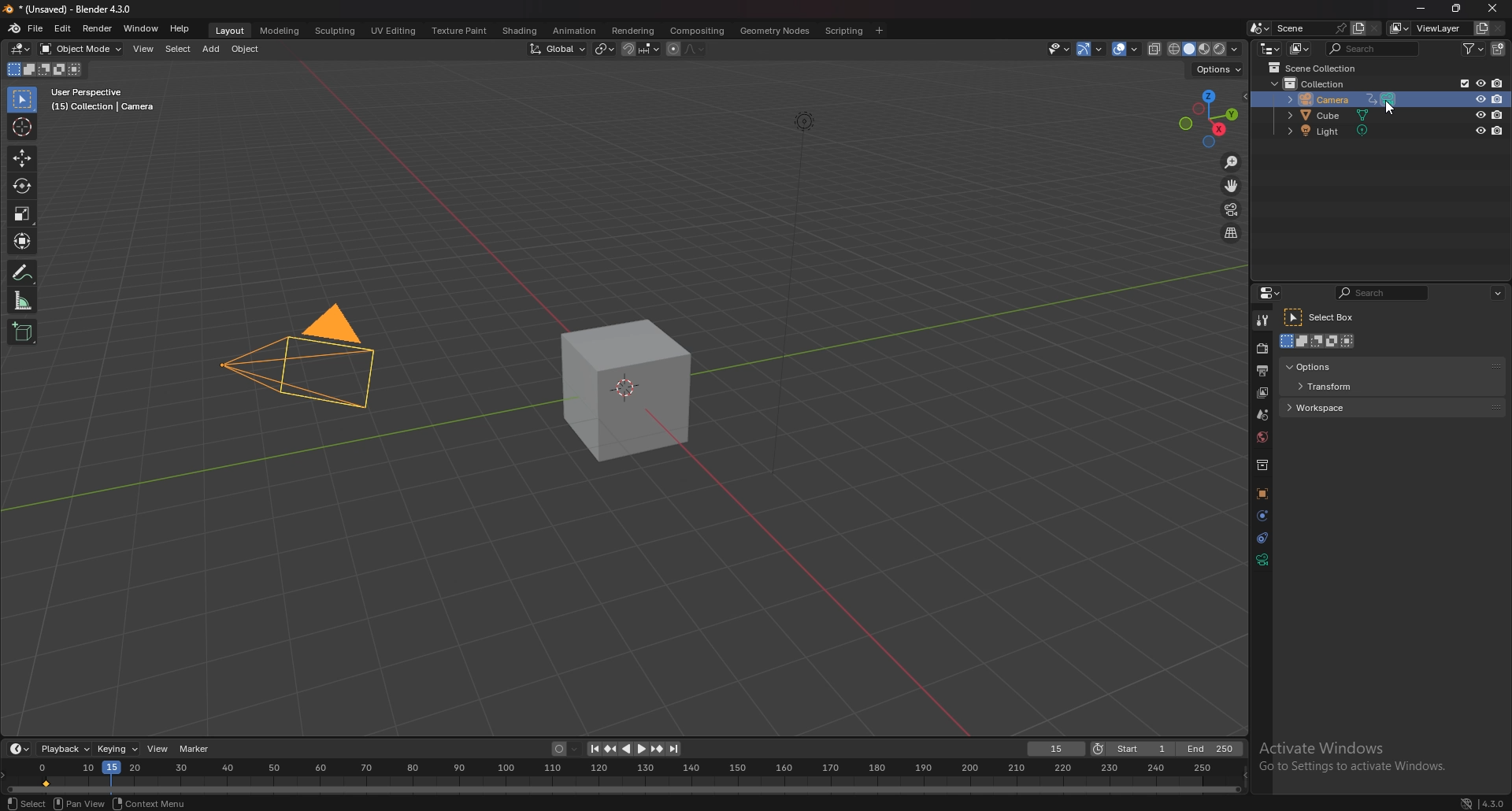  What do you see at coordinates (1262, 393) in the screenshot?
I see `layer` at bounding box center [1262, 393].